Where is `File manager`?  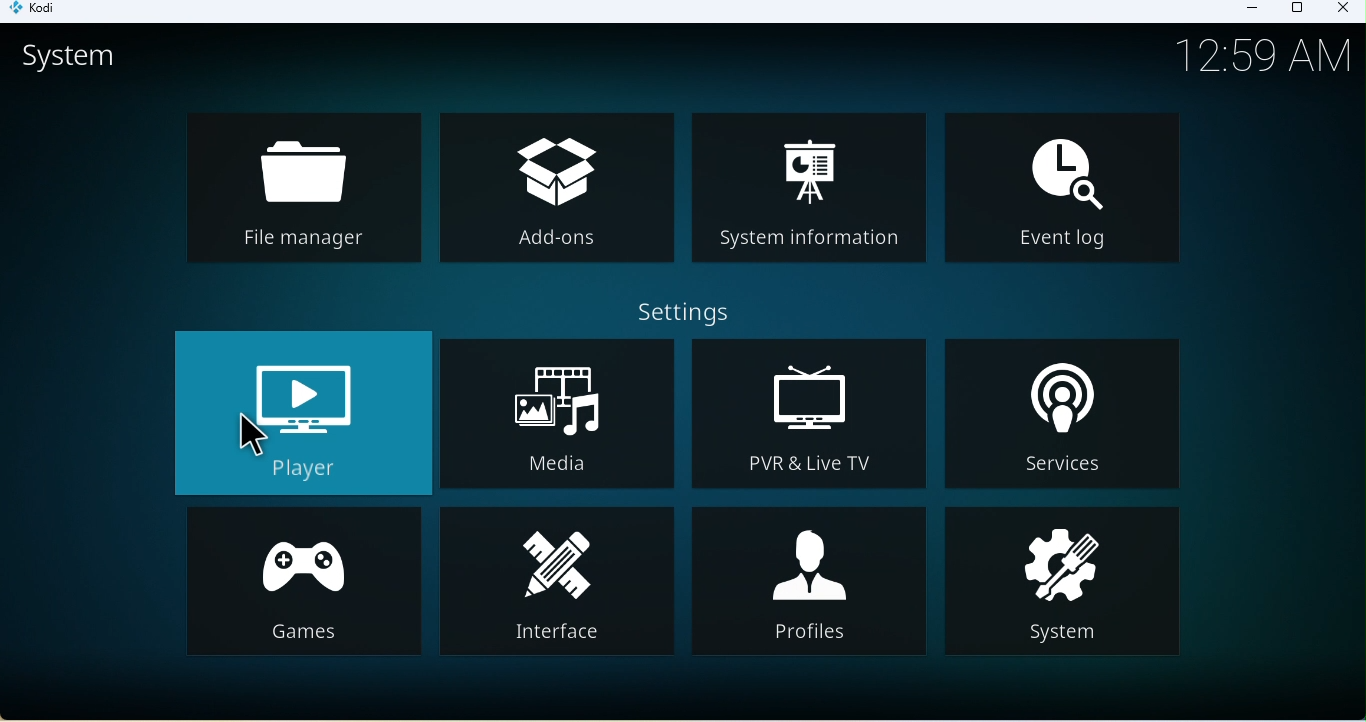 File manager is located at coordinates (304, 188).